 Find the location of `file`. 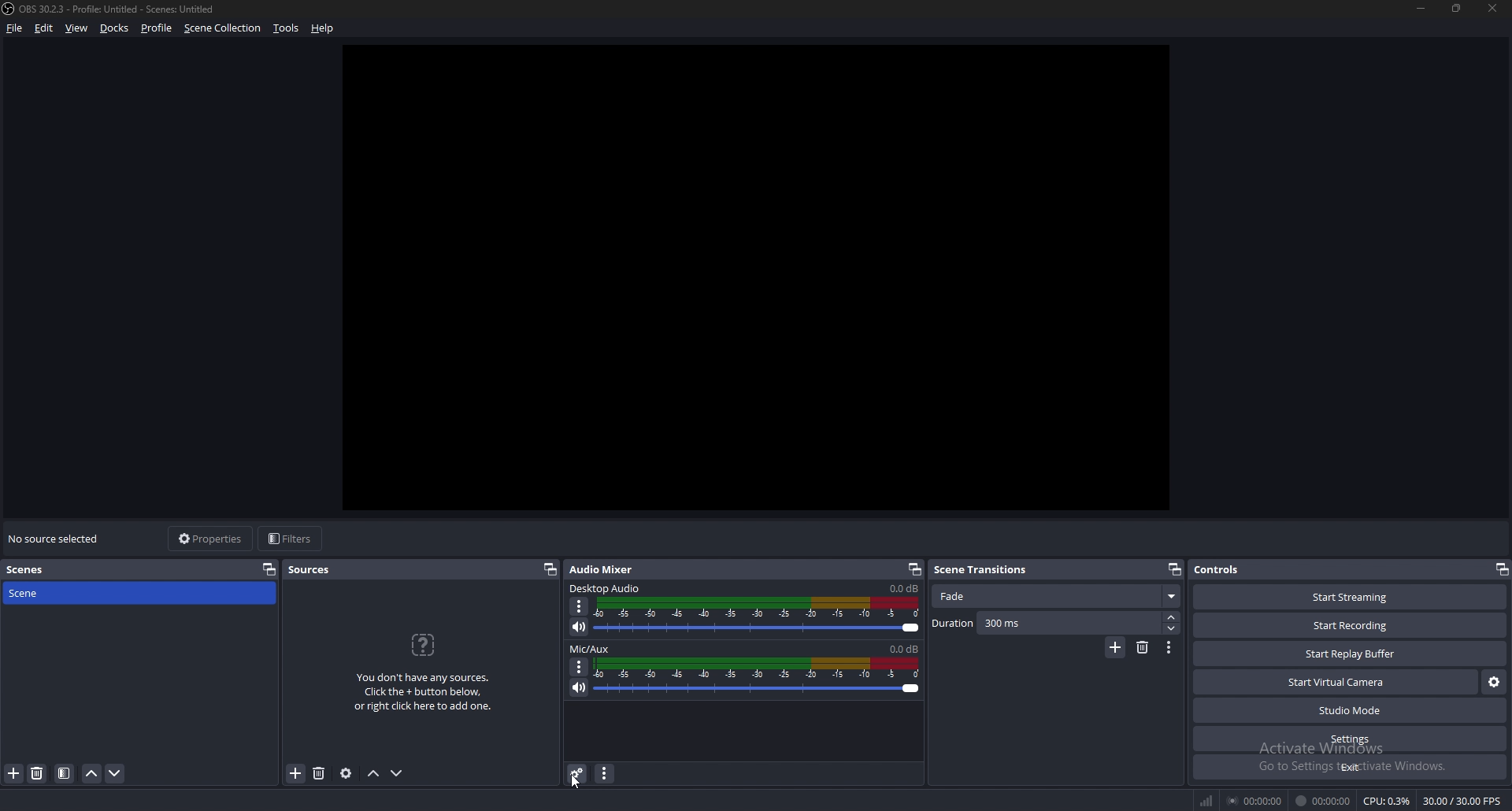

file is located at coordinates (15, 28).